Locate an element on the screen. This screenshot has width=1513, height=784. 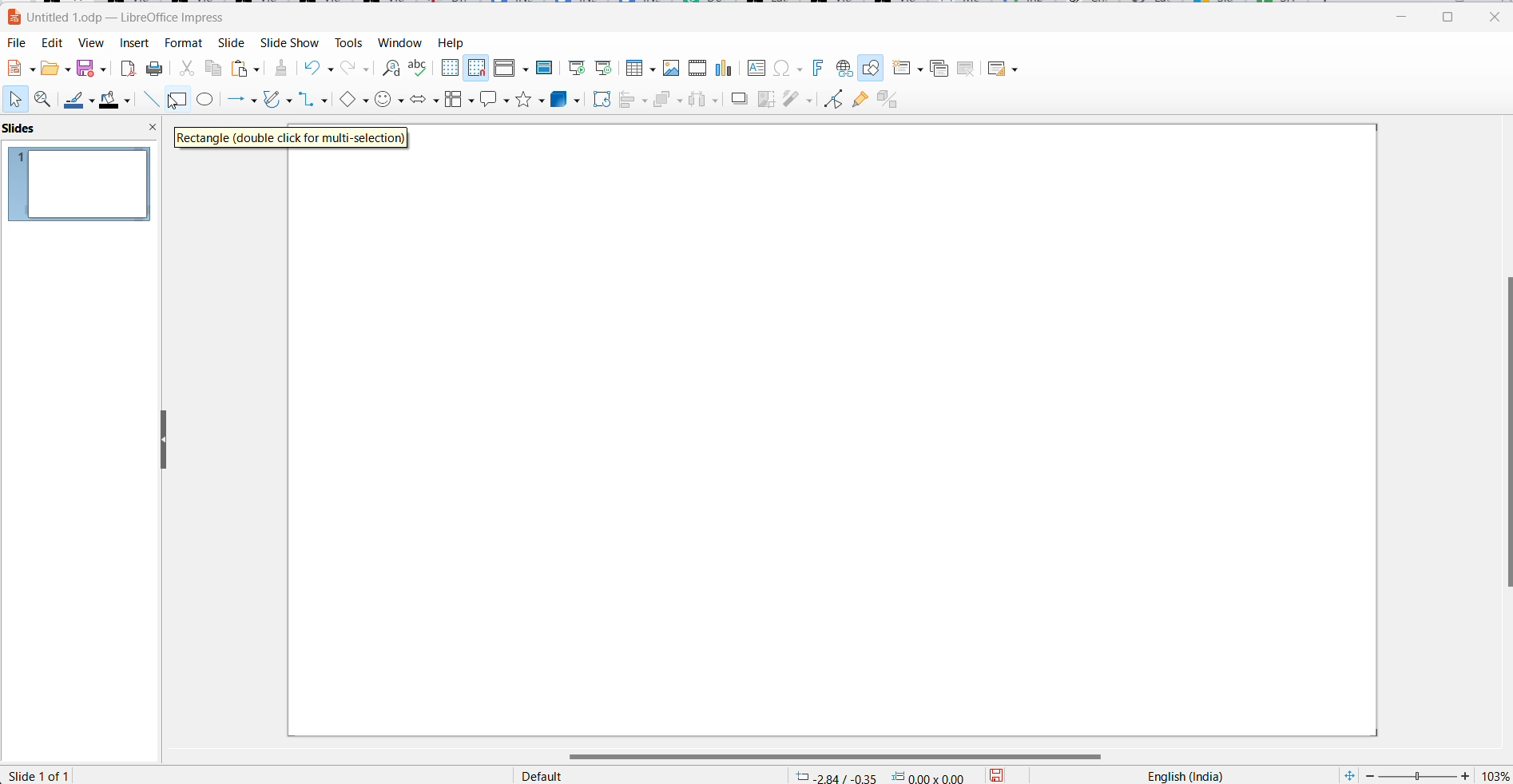
line is located at coordinates (78, 102).